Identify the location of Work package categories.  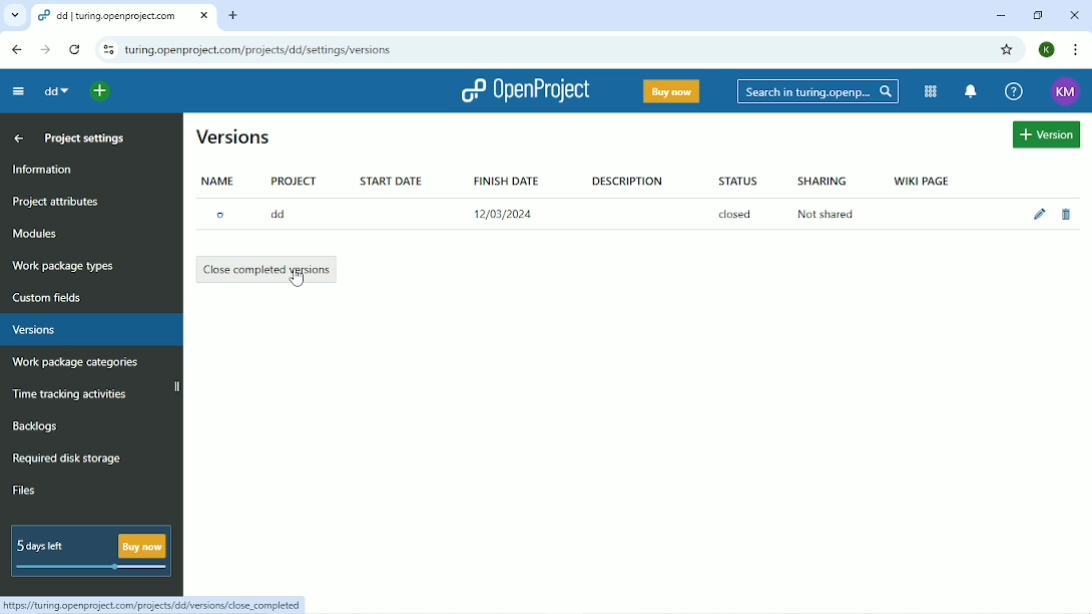
(76, 364).